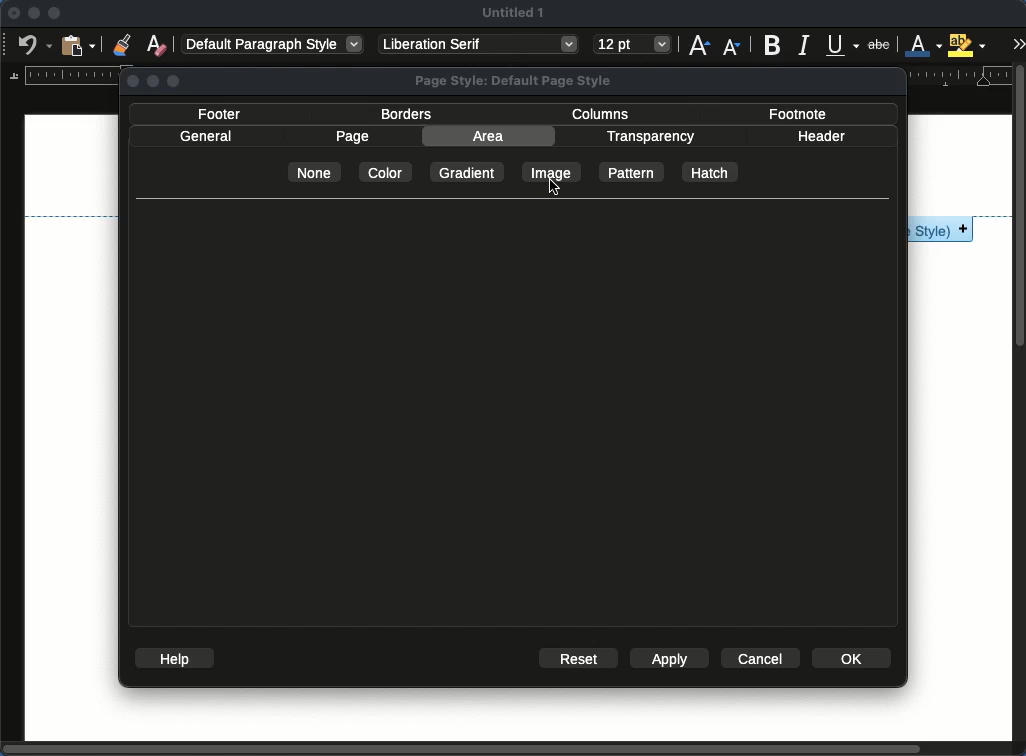  Describe the element at coordinates (517, 81) in the screenshot. I see `page style: default page style` at that location.